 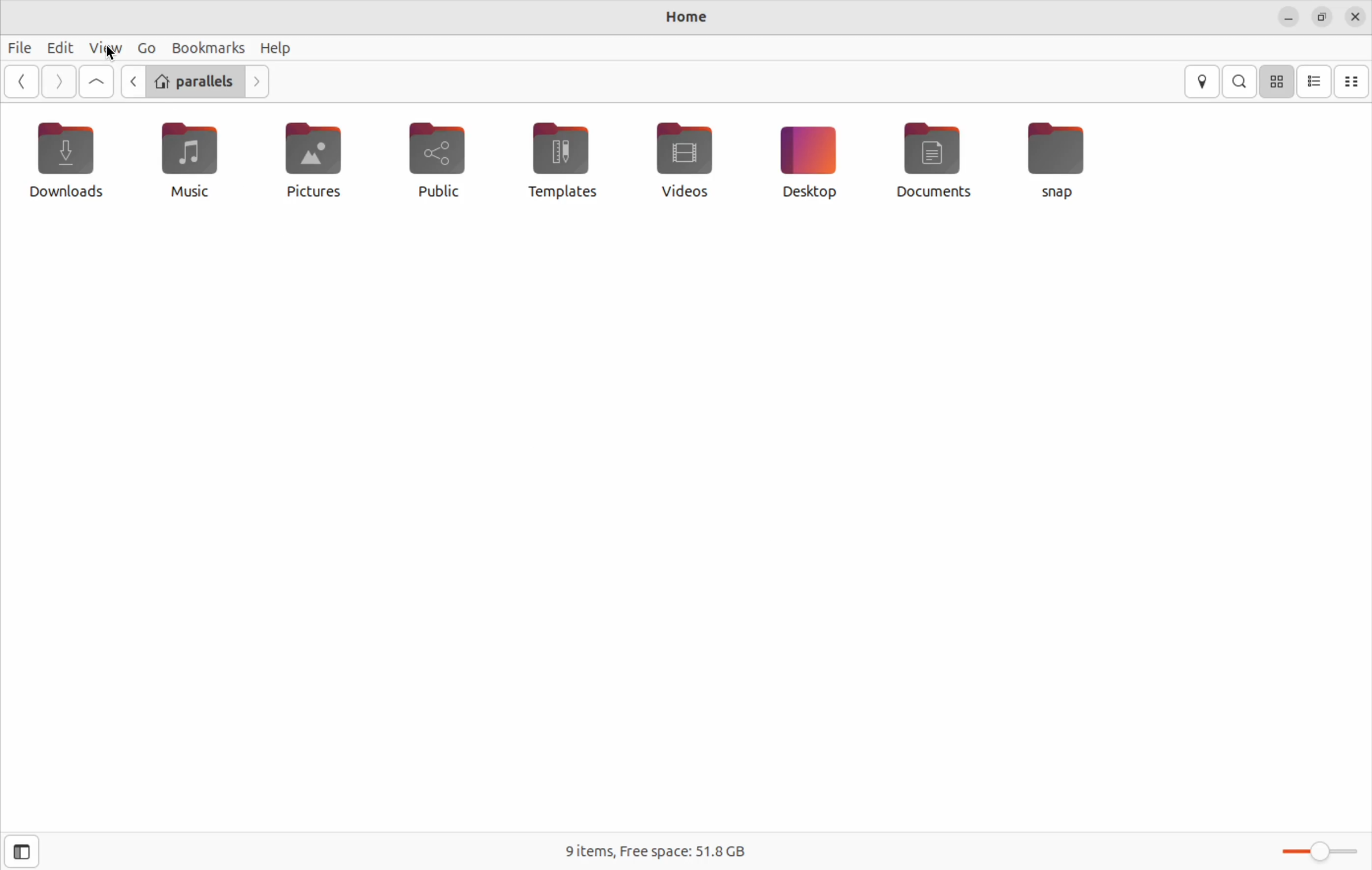 I want to click on Desktop icon, so click(x=806, y=160).